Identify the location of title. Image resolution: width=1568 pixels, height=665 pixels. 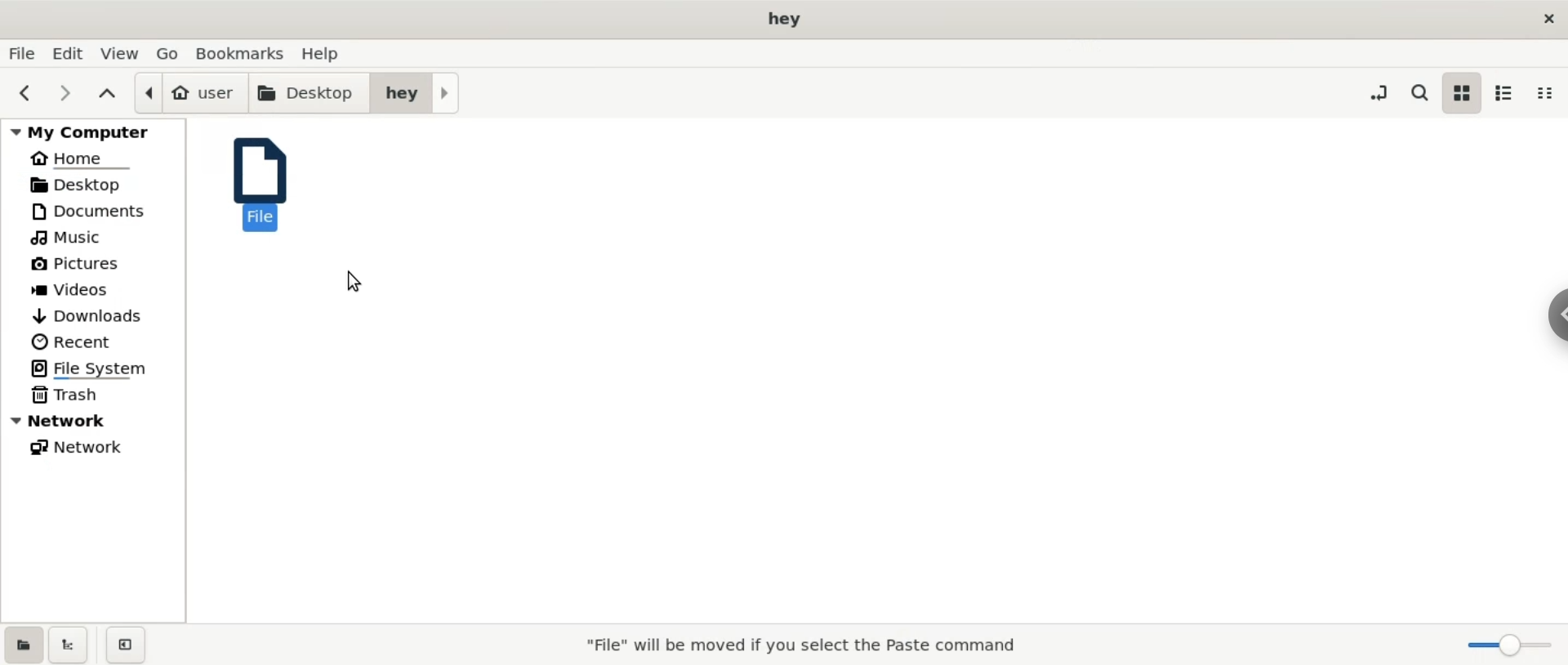
(782, 21).